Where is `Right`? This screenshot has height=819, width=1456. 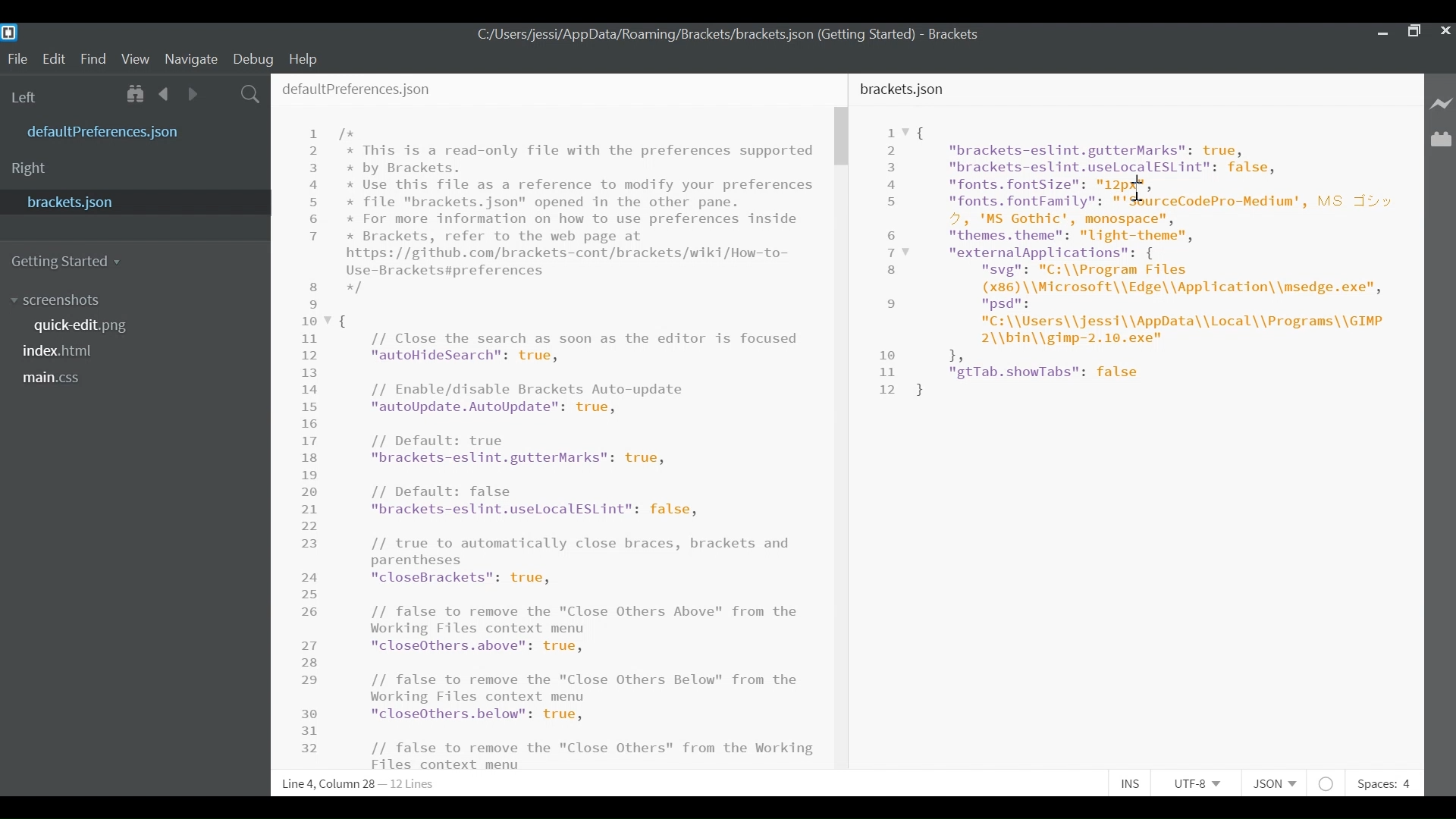 Right is located at coordinates (29, 170).